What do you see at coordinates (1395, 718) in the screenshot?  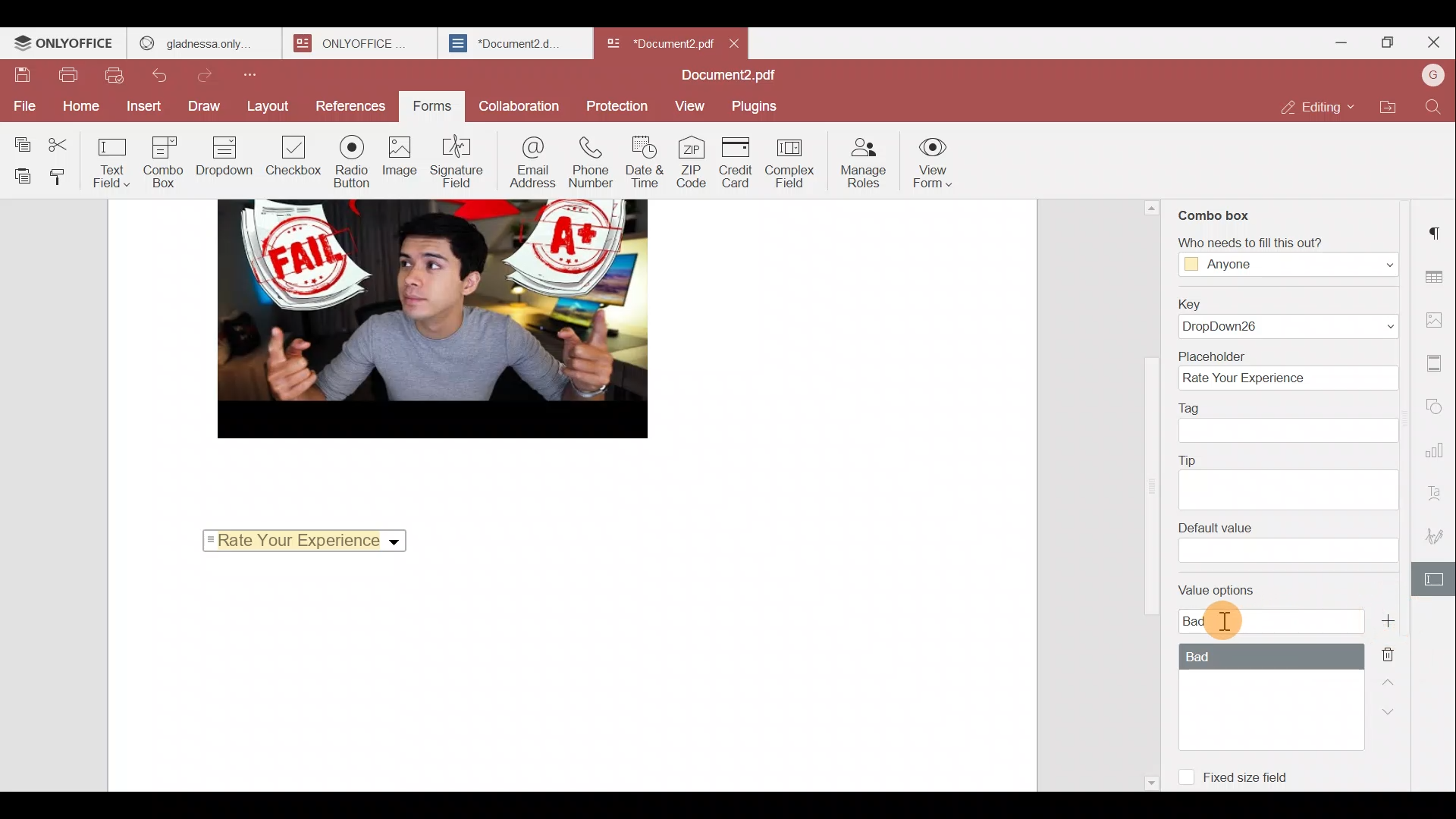 I see `Down` at bounding box center [1395, 718].